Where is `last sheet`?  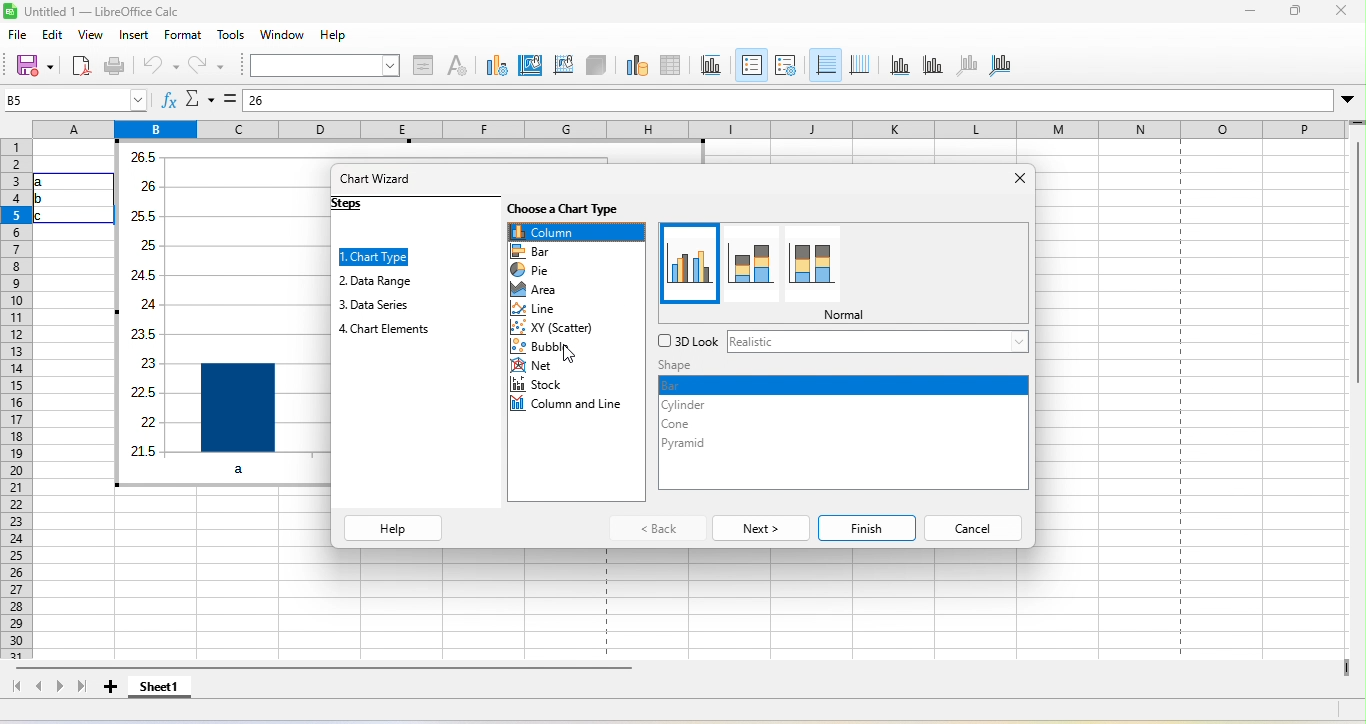
last sheet is located at coordinates (84, 689).